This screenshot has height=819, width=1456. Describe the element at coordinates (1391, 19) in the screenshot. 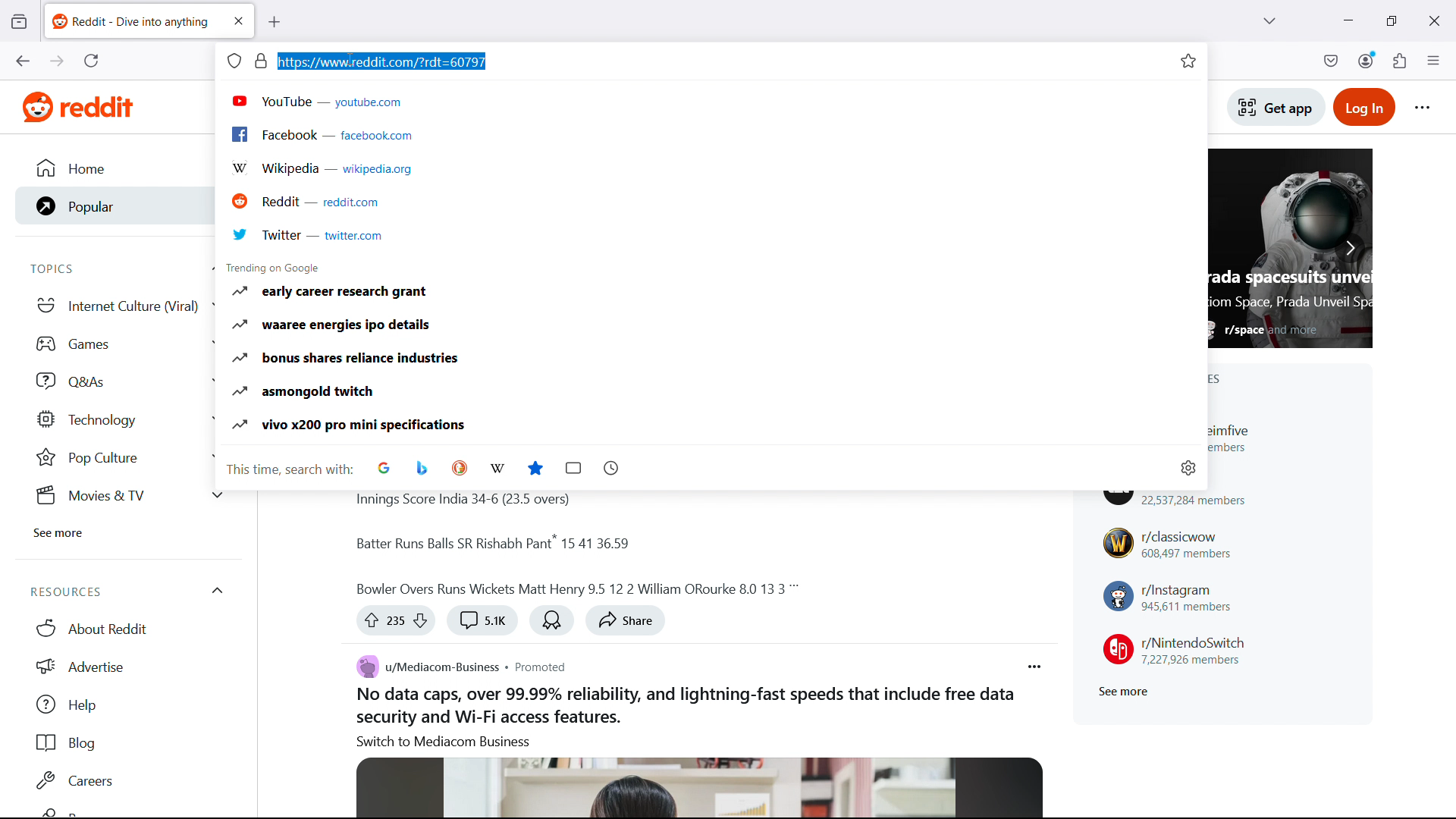

I see `maximize` at that location.